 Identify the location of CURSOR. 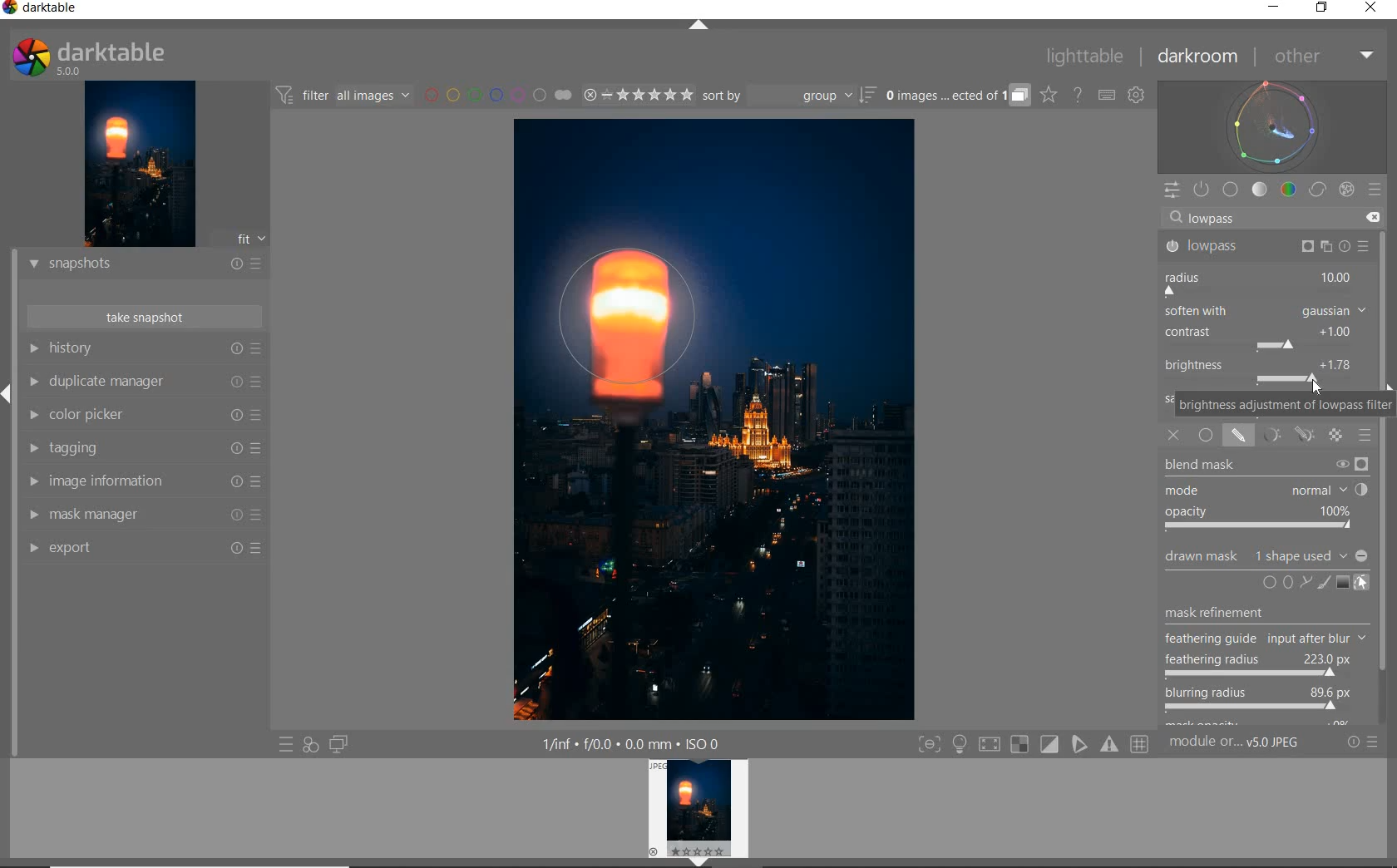
(1318, 389).